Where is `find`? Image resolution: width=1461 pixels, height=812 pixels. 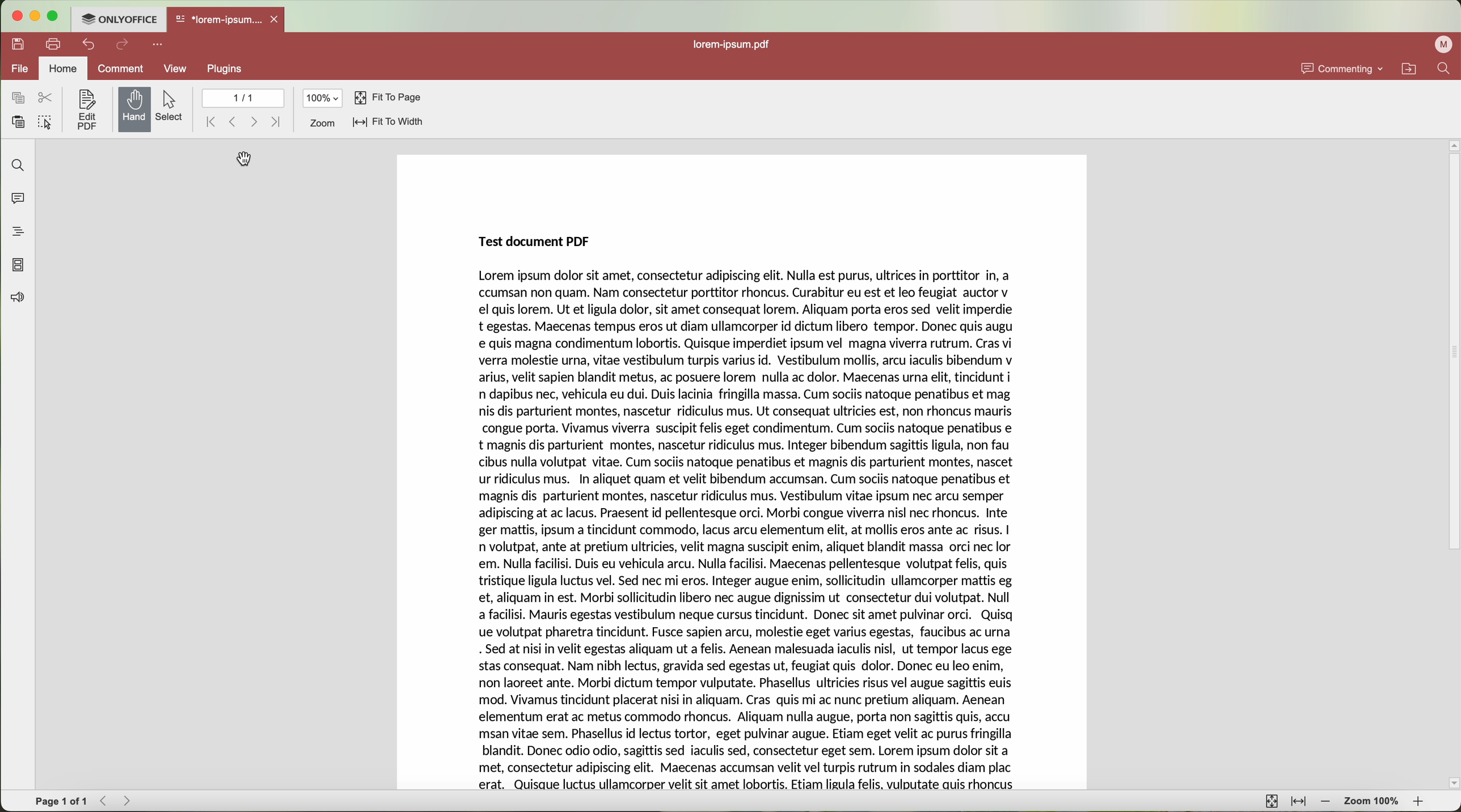
find is located at coordinates (16, 165).